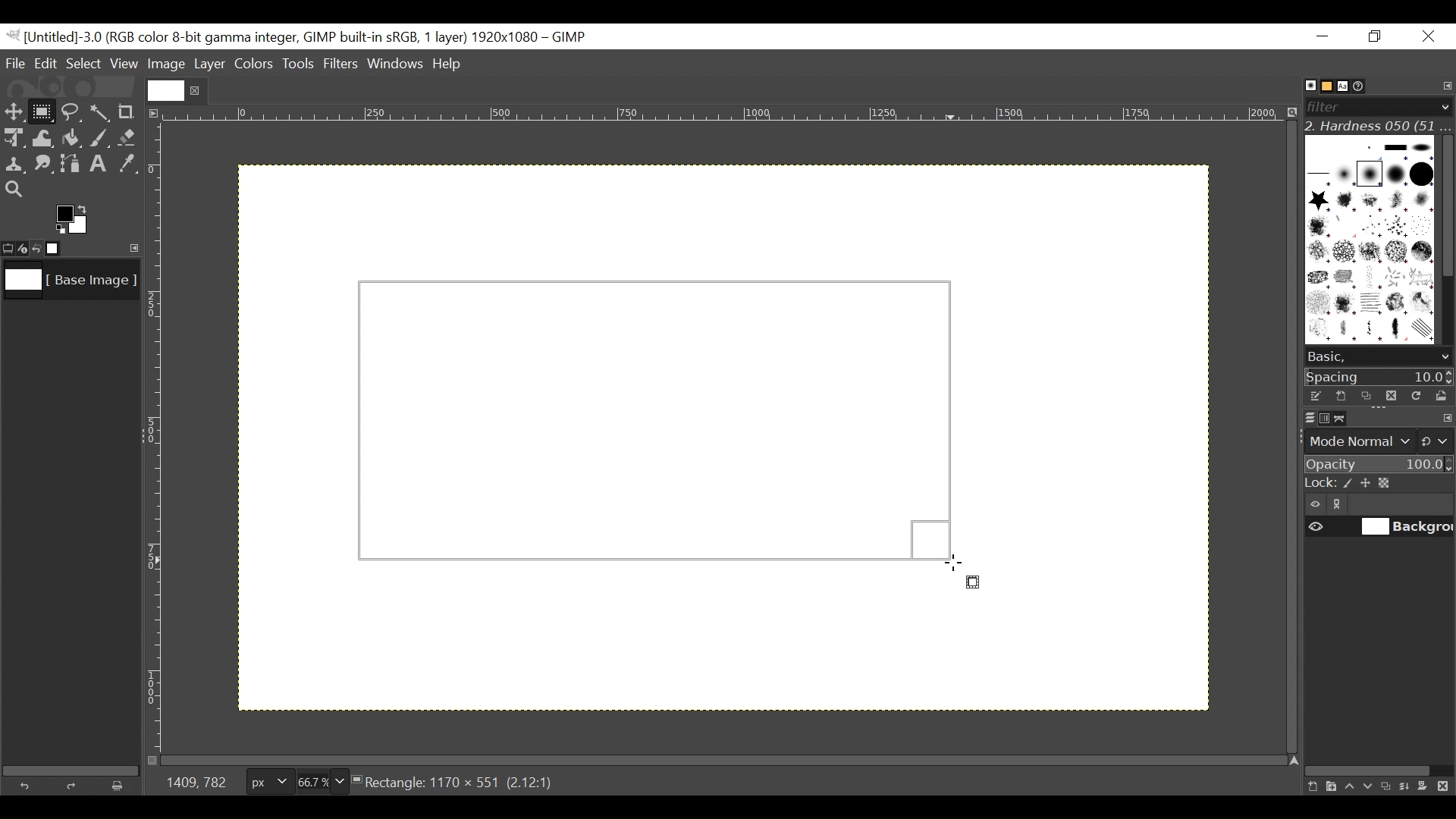 The image size is (1456, 819). What do you see at coordinates (725, 116) in the screenshot?
I see `Horizontal ruler` at bounding box center [725, 116].